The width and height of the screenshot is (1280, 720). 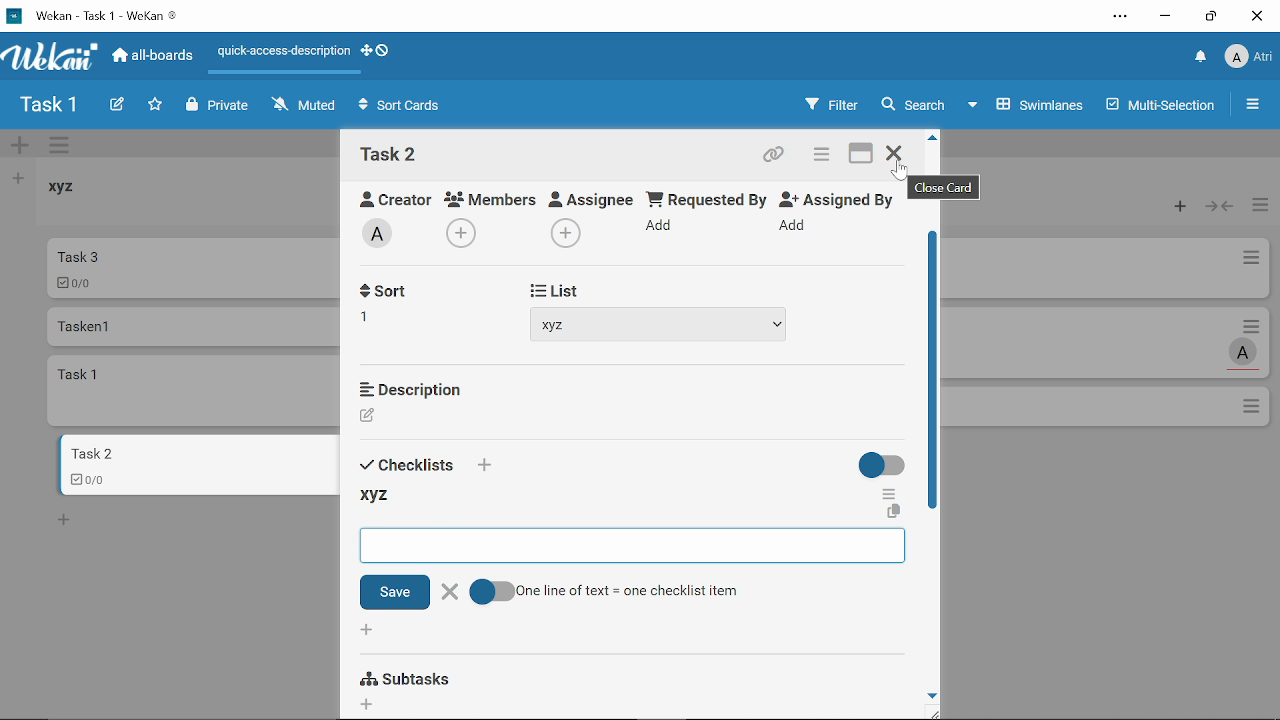 What do you see at coordinates (931, 693) in the screenshot?
I see `move down` at bounding box center [931, 693].